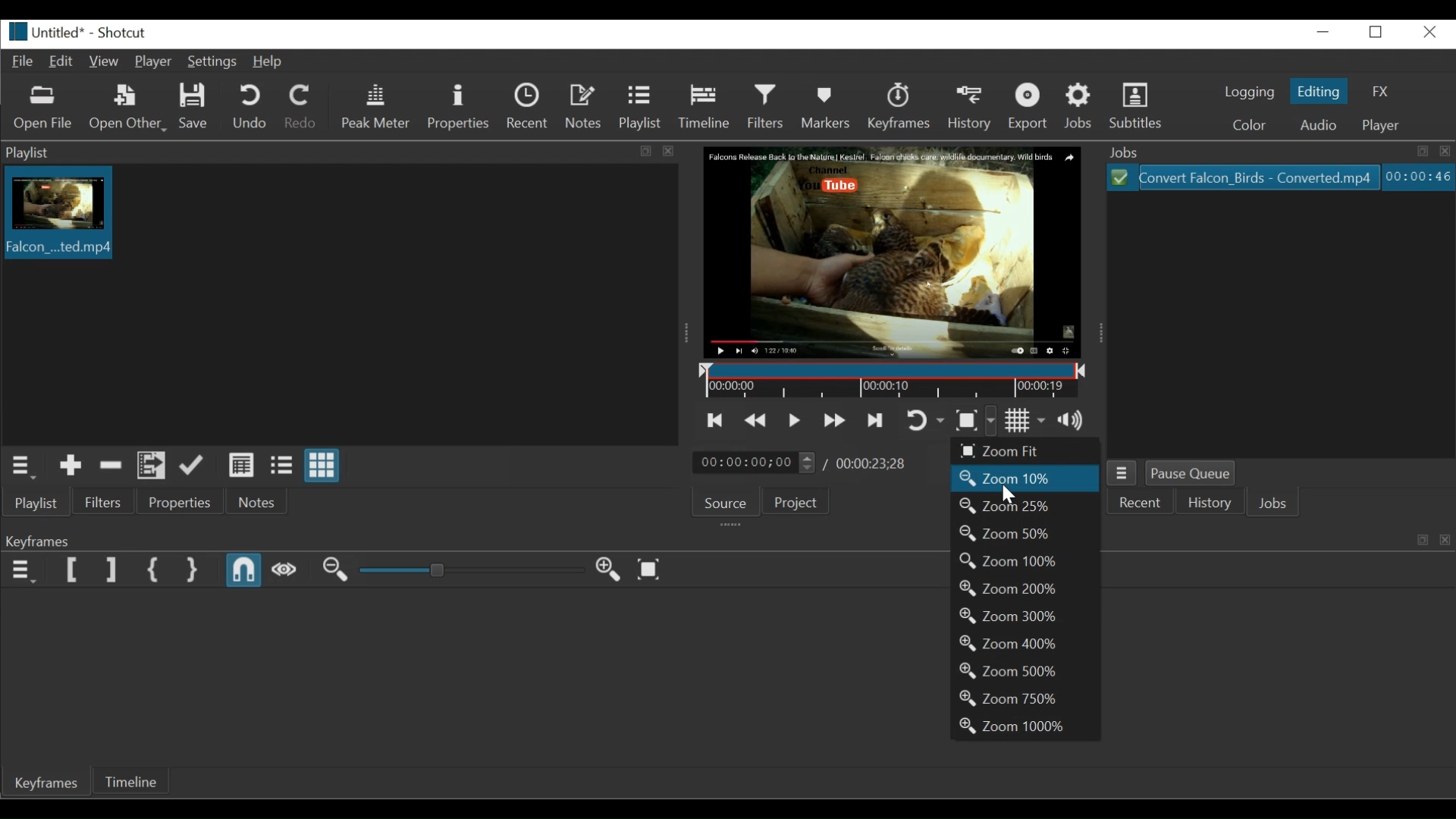 The width and height of the screenshot is (1456, 819). I want to click on Recent, so click(529, 106).